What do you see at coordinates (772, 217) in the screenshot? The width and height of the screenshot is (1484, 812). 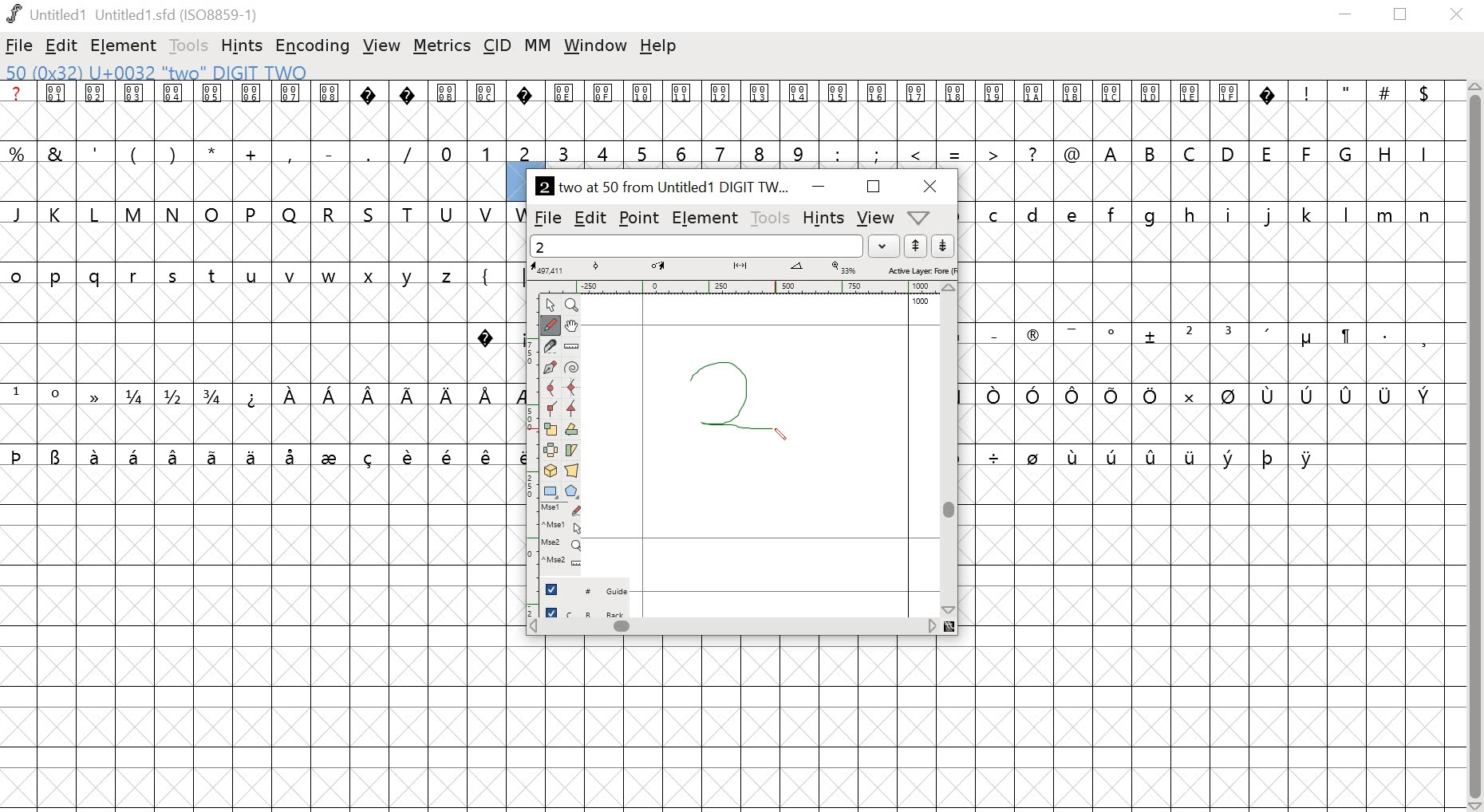 I see `tools` at bounding box center [772, 217].